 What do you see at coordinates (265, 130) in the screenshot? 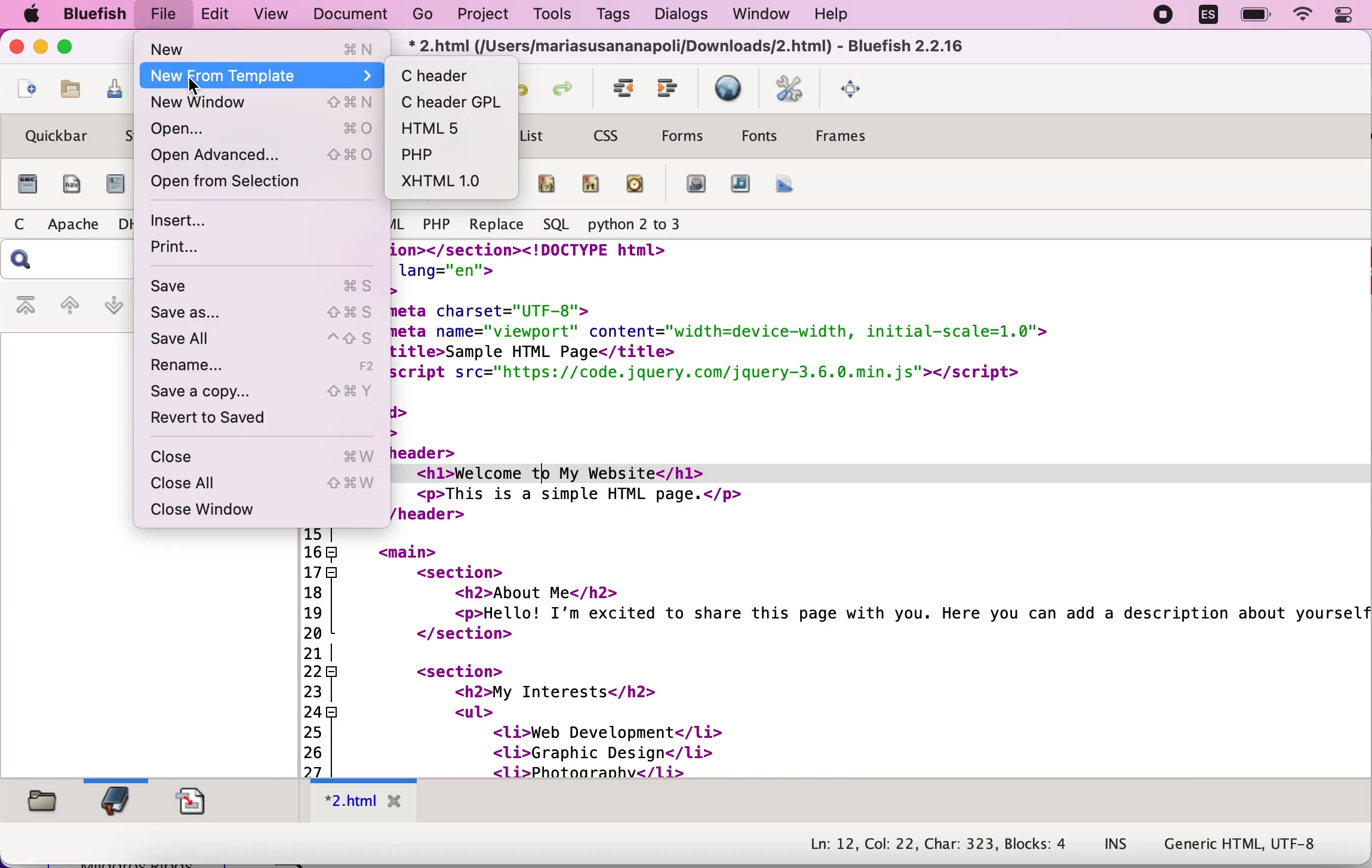
I see `open` at bounding box center [265, 130].